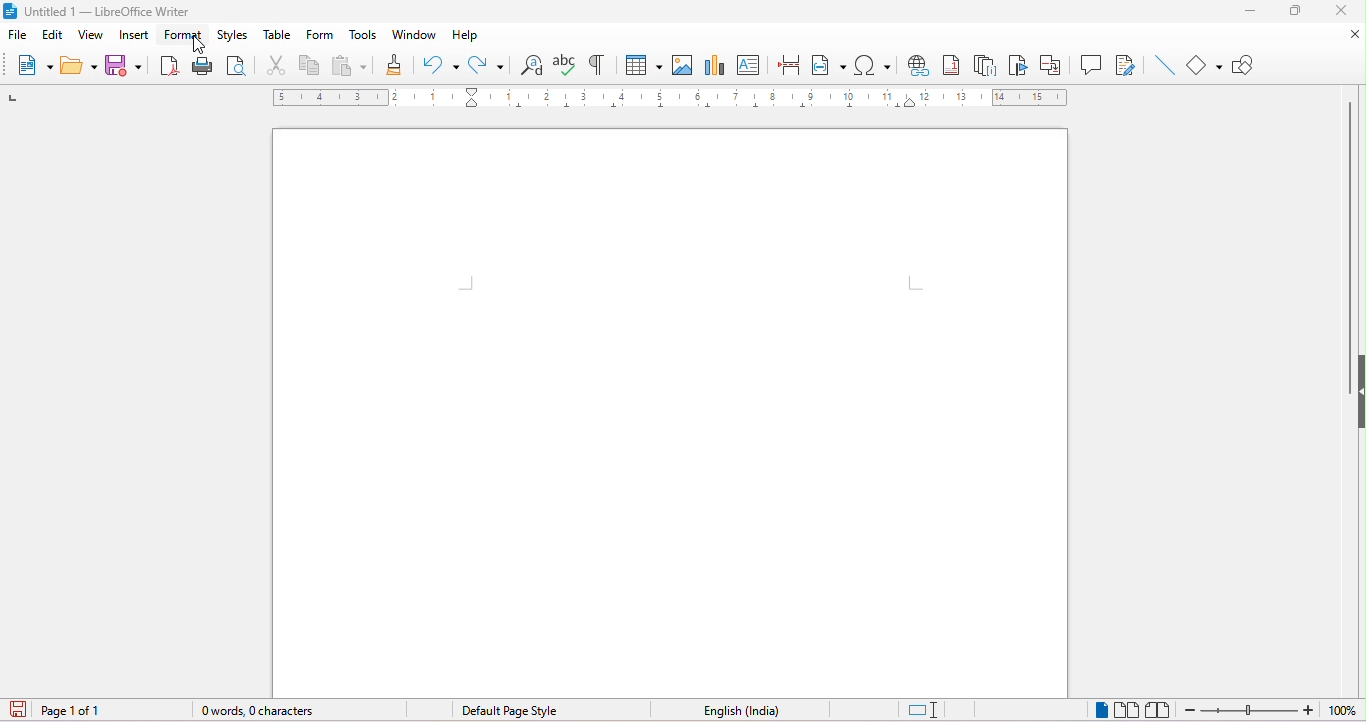 This screenshot has height=722, width=1366. I want to click on new, so click(35, 69).